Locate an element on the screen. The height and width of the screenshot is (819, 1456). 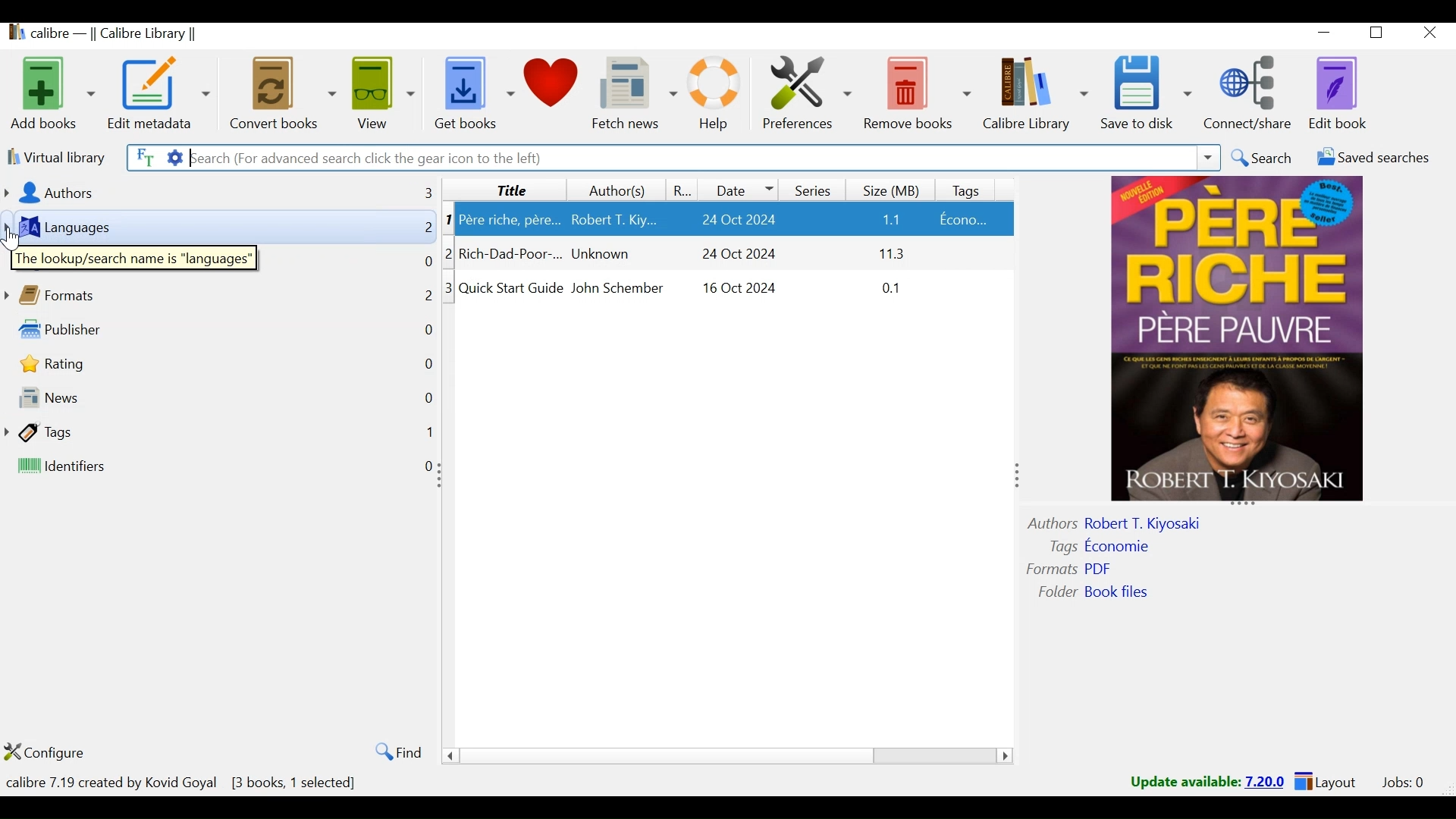
Formats is located at coordinates (82, 293).